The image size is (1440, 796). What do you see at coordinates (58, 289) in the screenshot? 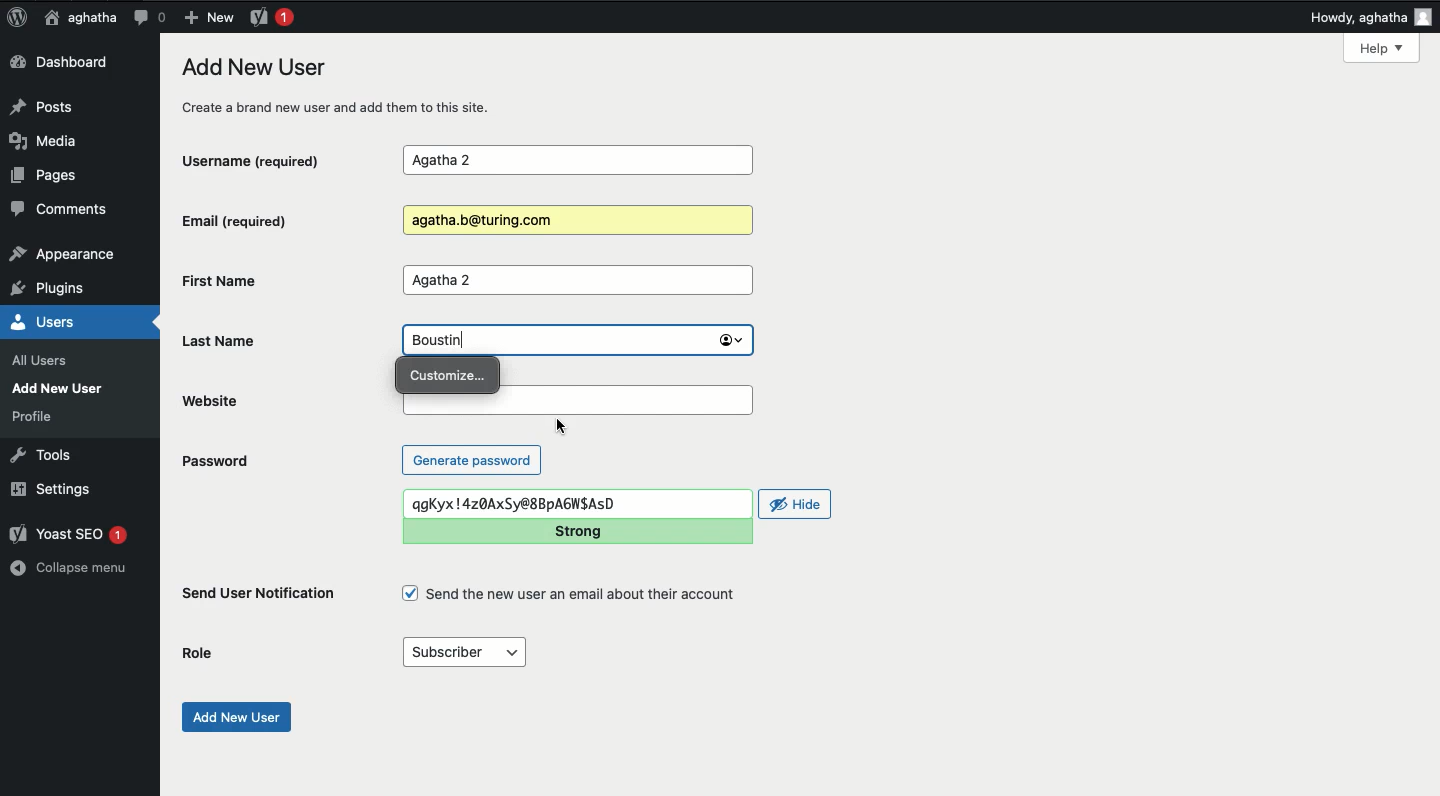
I see `plugins` at bounding box center [58, 289].